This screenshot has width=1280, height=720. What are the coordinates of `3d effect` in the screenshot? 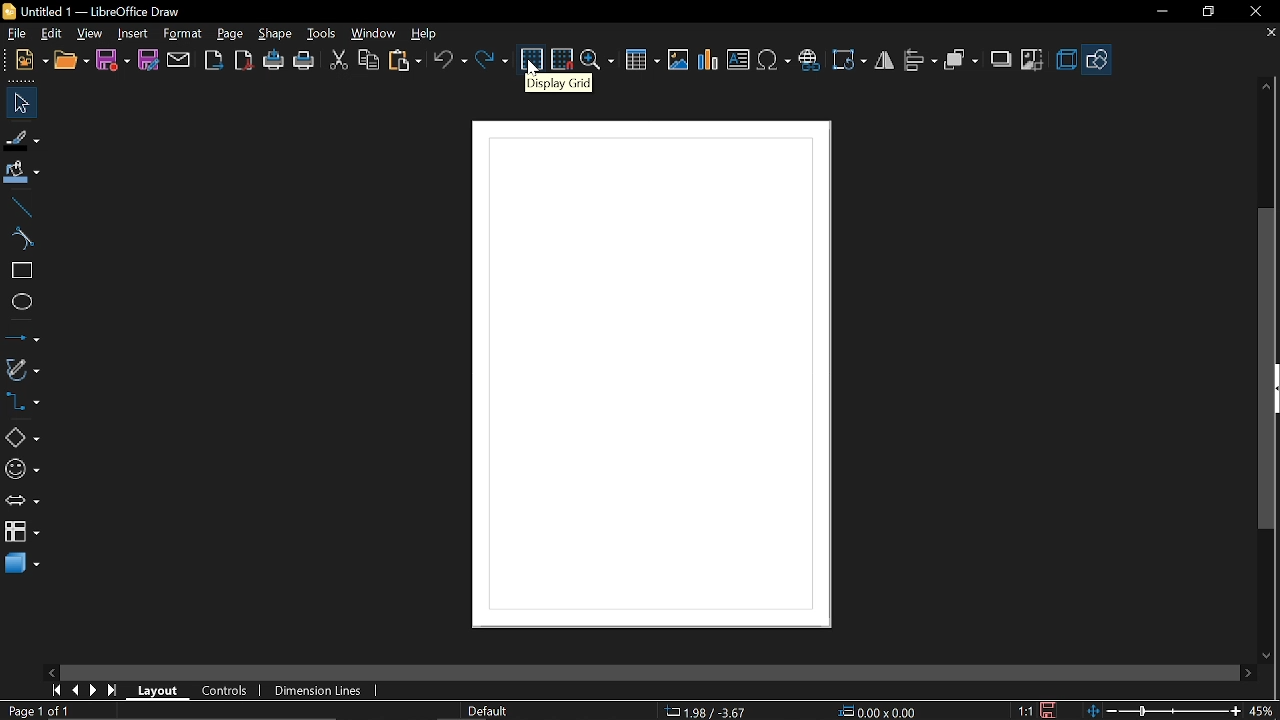 It's located at (1065, 59).